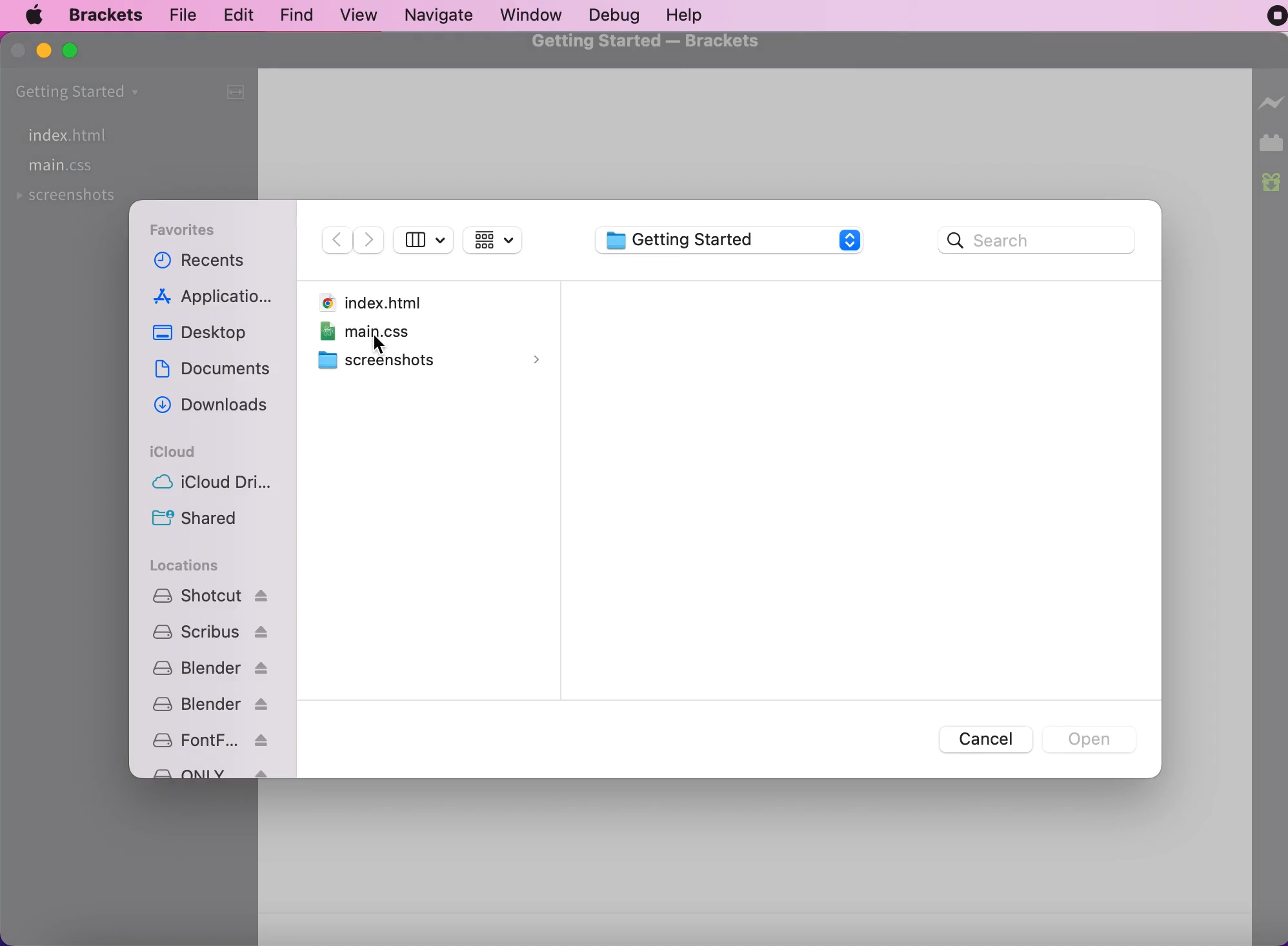 This screenshot has width=1288, height=946. What do you see at coordinates (214, 407) in the screenshot?
I see `downloads` at bounding box center [214, 407].